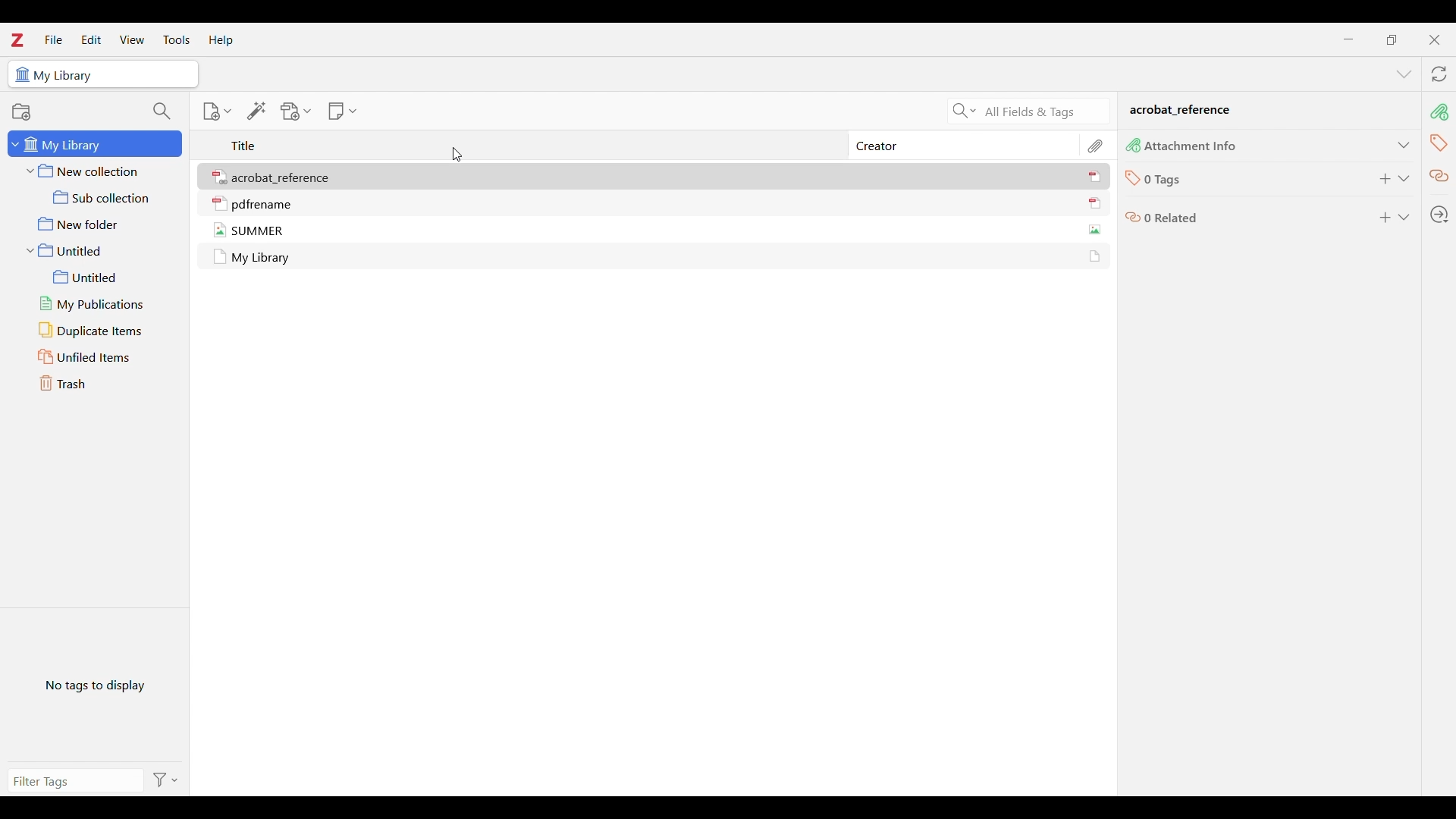 The image size is (1456, 819). I want to click on Title column, so click(244, 145).